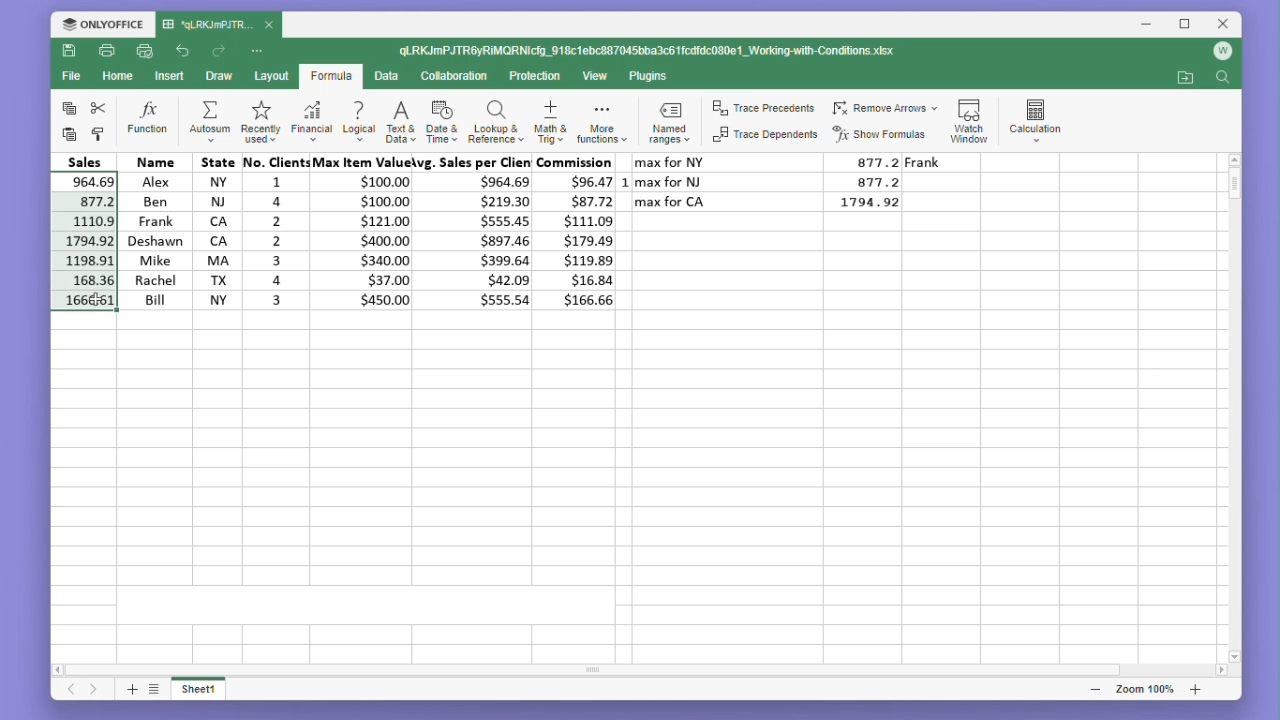  What do you see at coordinates (766, 135) in the screenshot?
I see `Trace dependents` at bounding box center [766, 135].